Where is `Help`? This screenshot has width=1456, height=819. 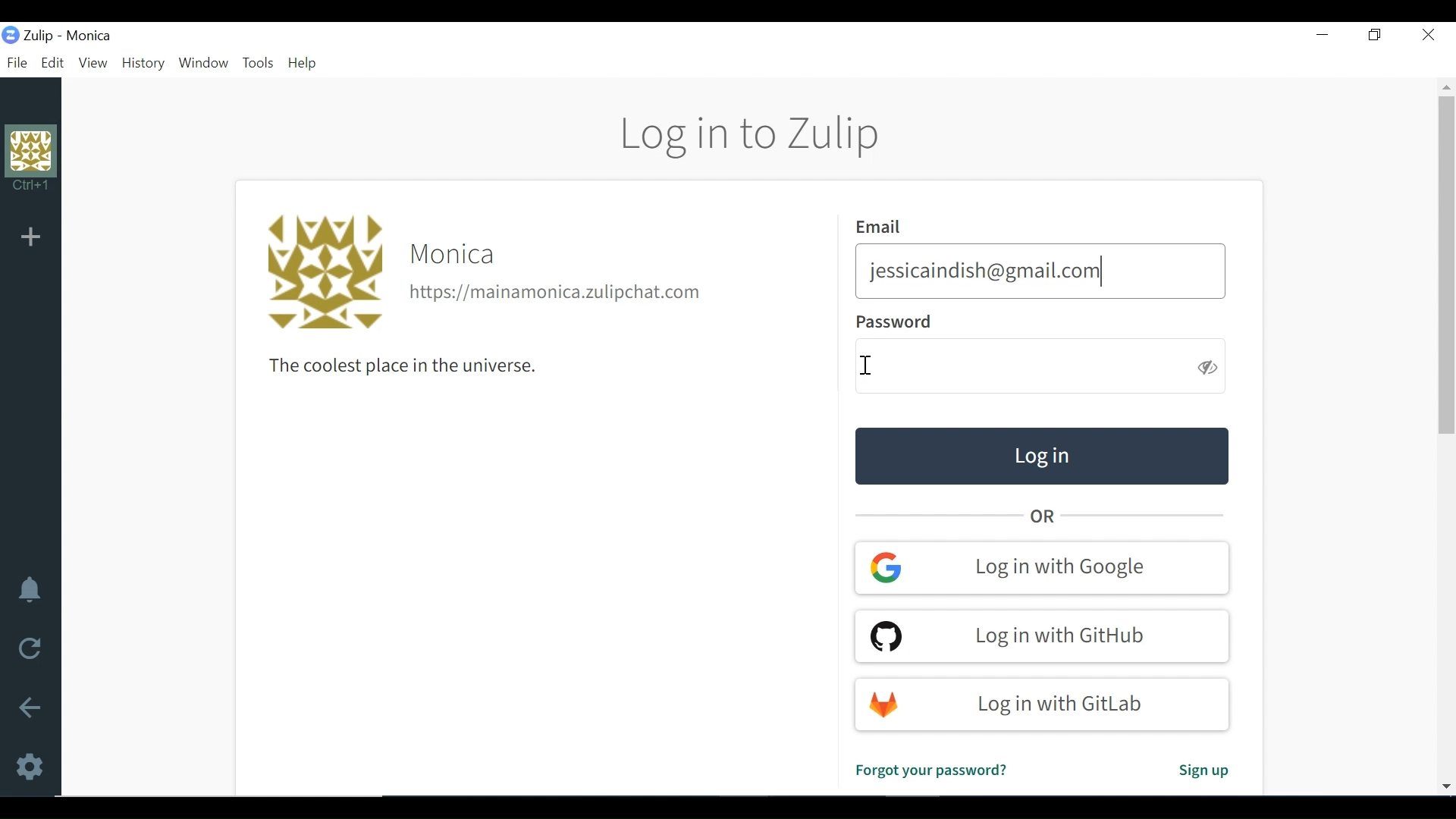
Help is located at coordinates (306, 64).